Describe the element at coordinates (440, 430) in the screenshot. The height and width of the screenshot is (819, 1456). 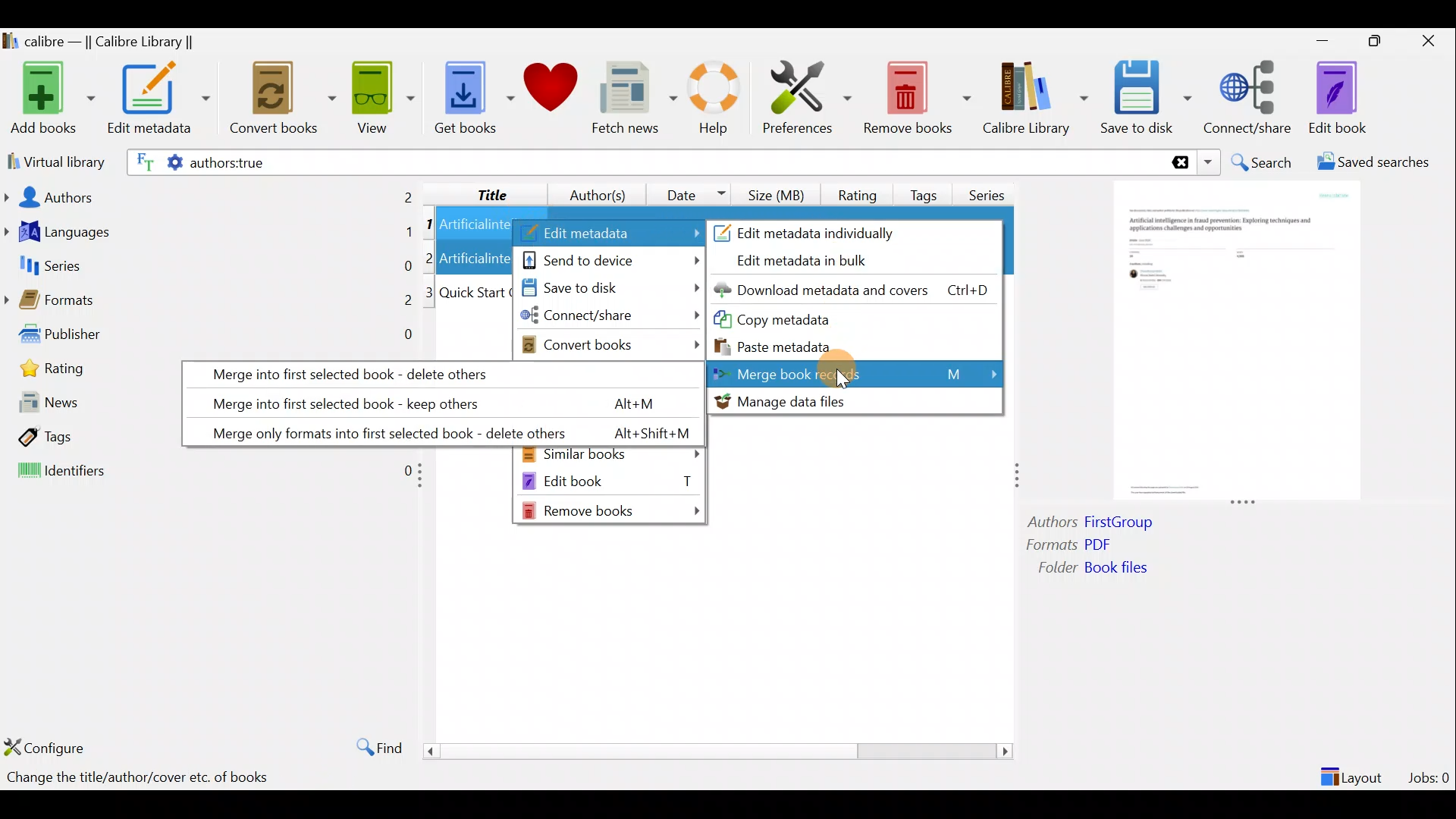
I see `Merge only formats into first selected book - delete others  Alt+Shift+M` at that location.